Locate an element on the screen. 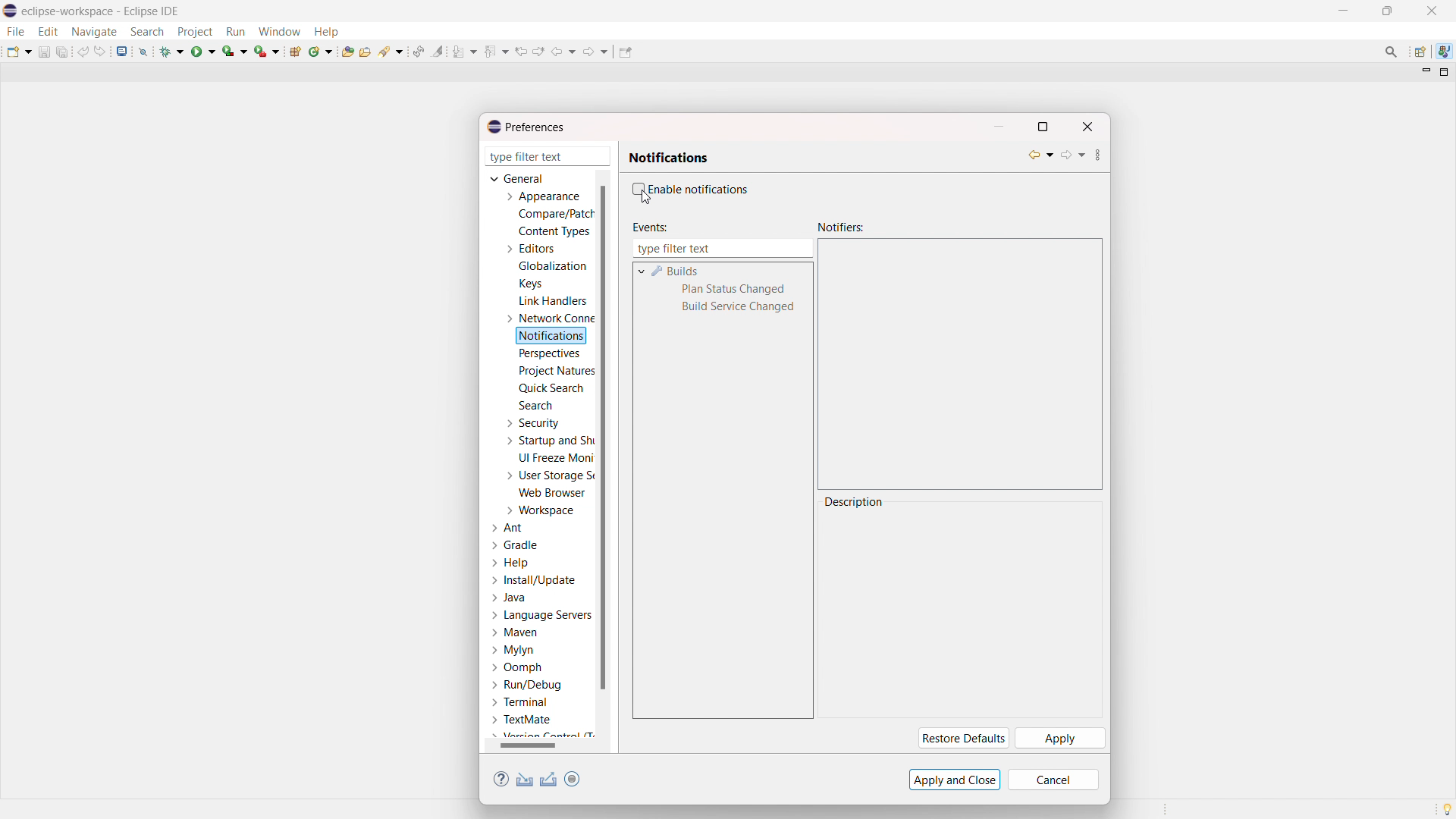 Image resolution: width=1456 pixels, height=819 pixels. apply and close is located at coordinates (955, 780).